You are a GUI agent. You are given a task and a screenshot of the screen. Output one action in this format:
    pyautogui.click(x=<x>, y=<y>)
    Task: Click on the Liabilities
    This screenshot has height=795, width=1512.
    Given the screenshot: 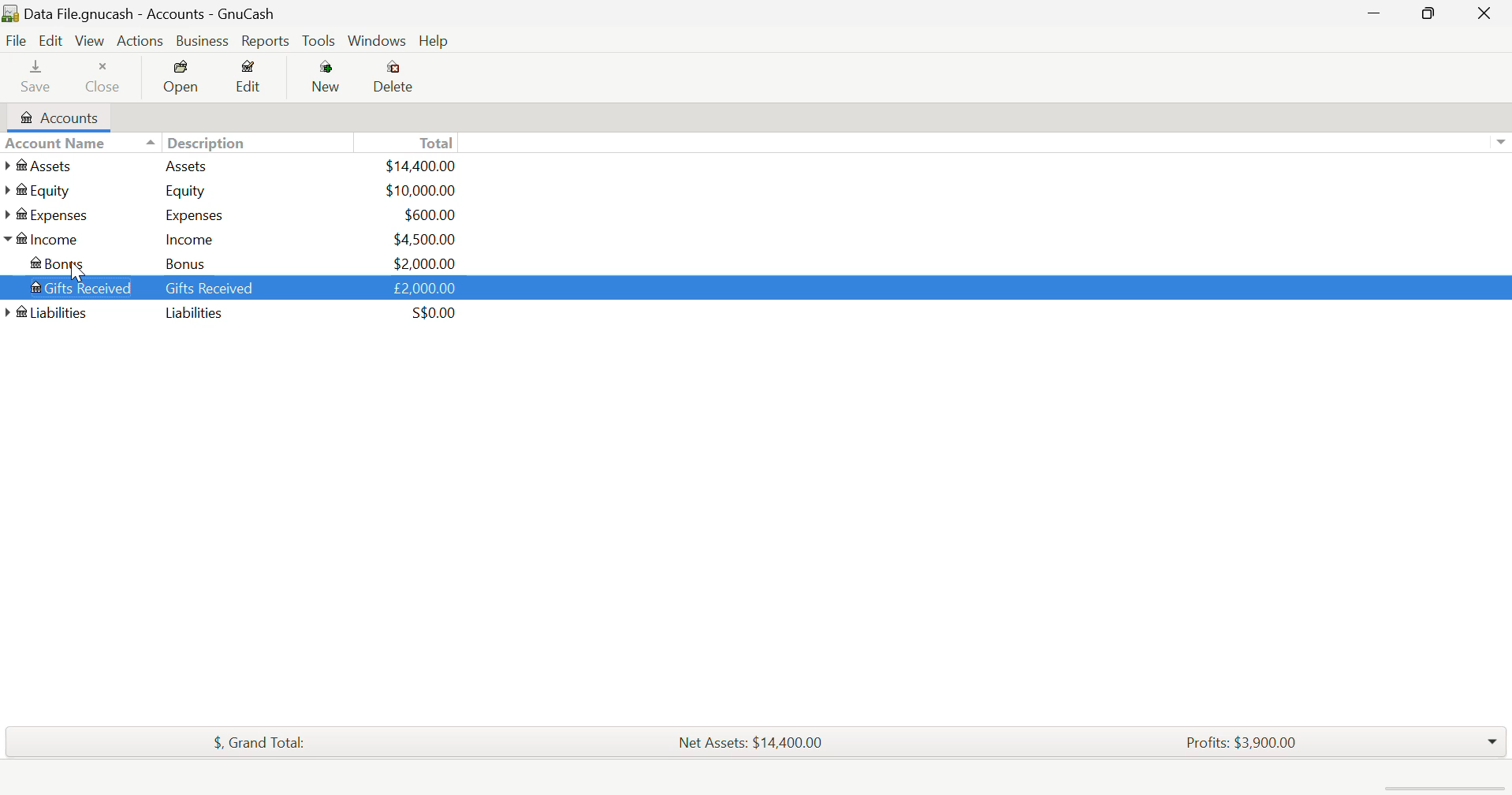 What is the action you would take?
    pyautogui.click(x=196, y=314)
    